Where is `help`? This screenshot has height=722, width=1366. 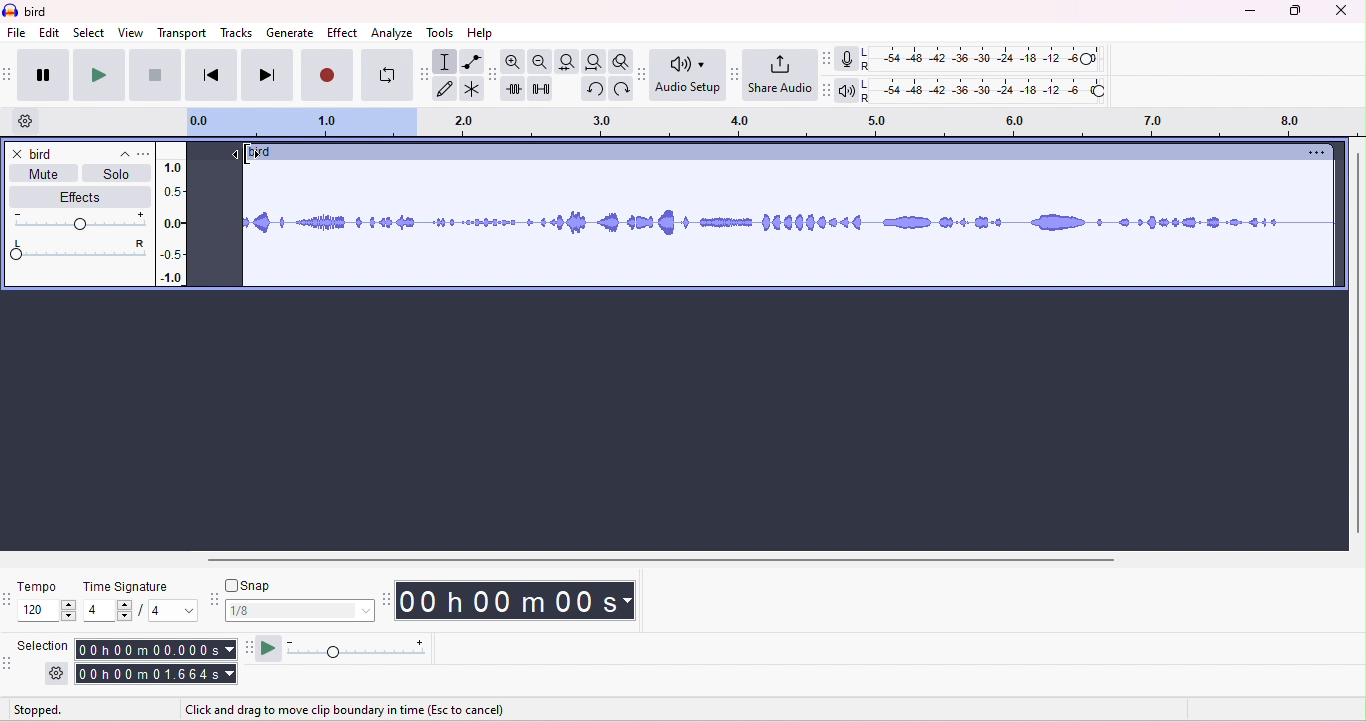
help is located at coordinates (480, 33).